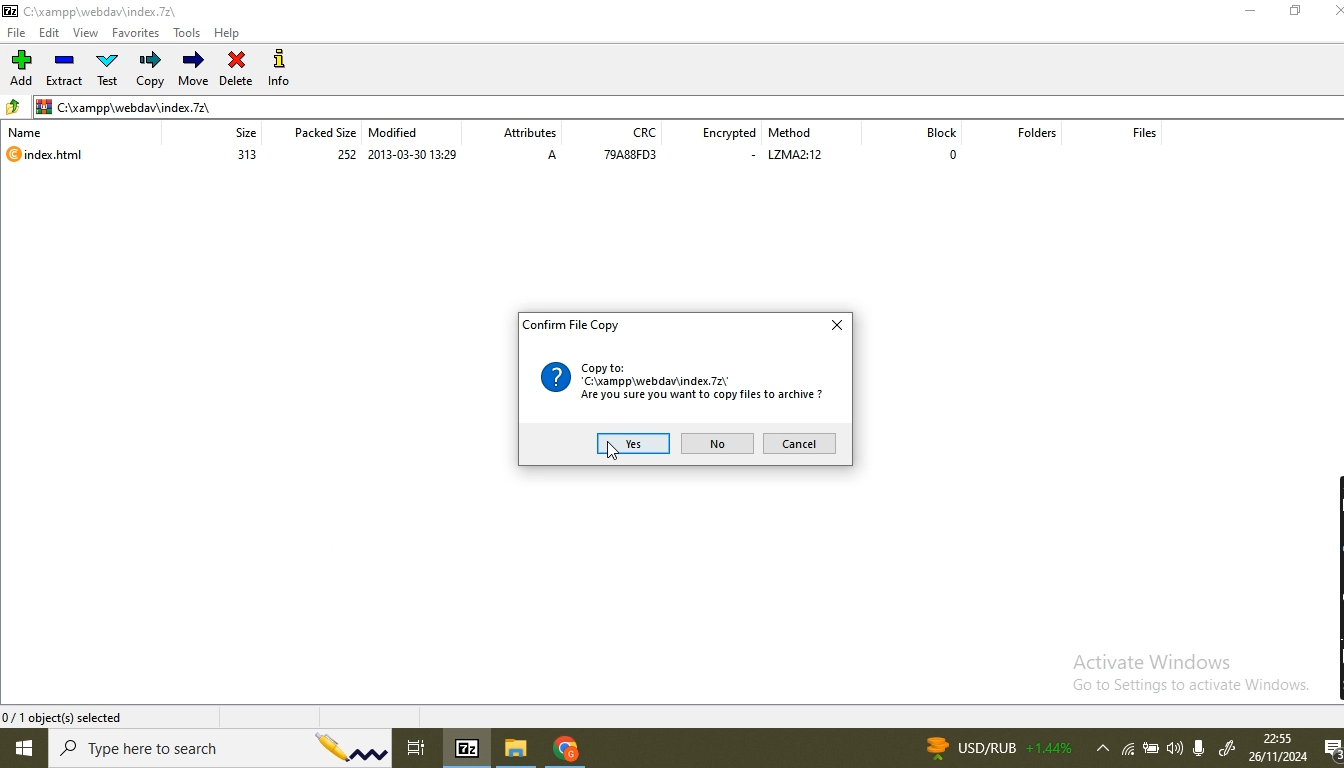 Image resolution: width=1344 pixels, height=768 pixels. Describe the element at coordinates (1299, 14) in the screenshot. I see `restore` at that location.